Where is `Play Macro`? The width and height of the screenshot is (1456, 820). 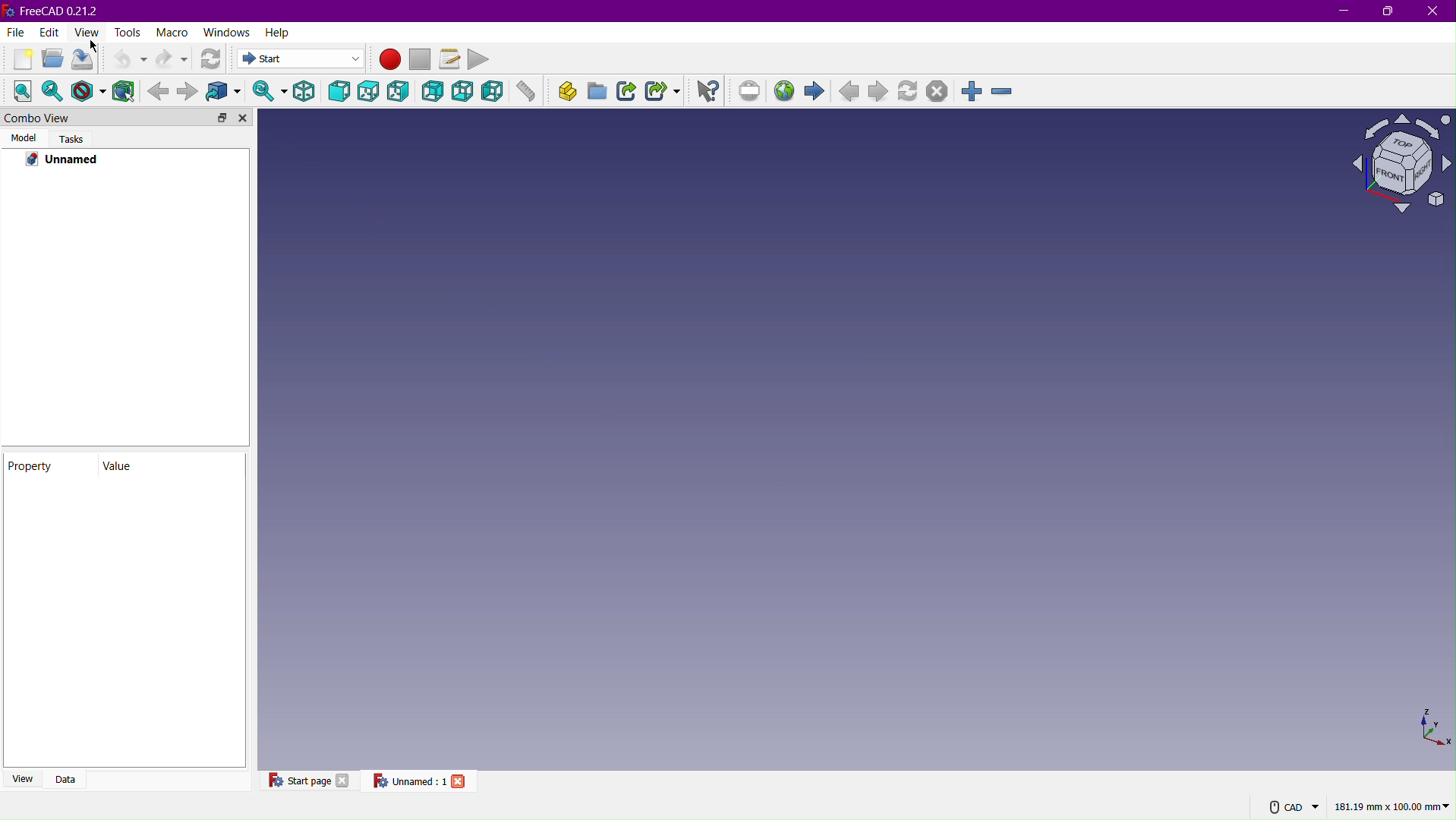
Play Macro is located at coordinates (487, 60).